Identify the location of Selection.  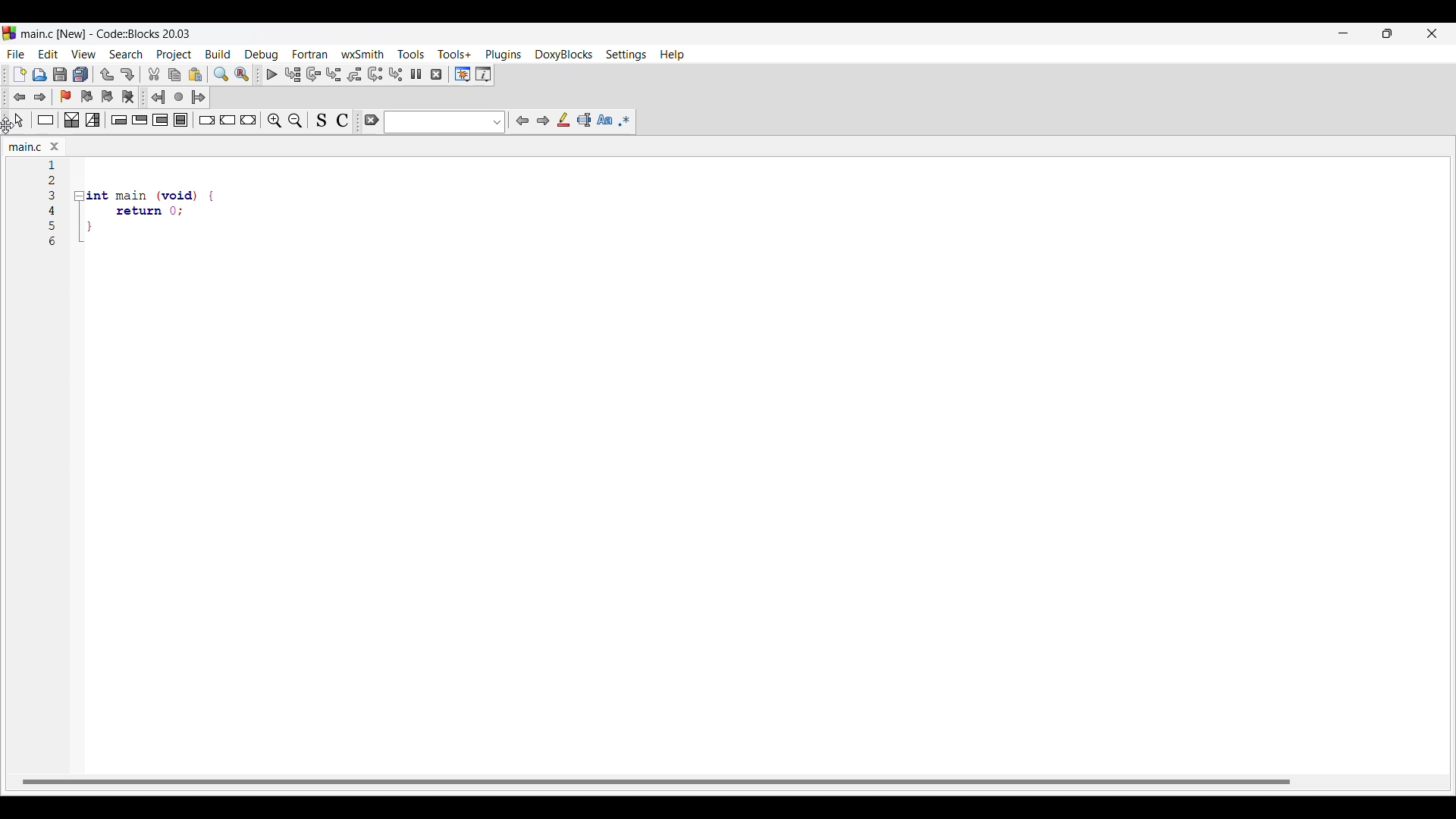
(93, 120).